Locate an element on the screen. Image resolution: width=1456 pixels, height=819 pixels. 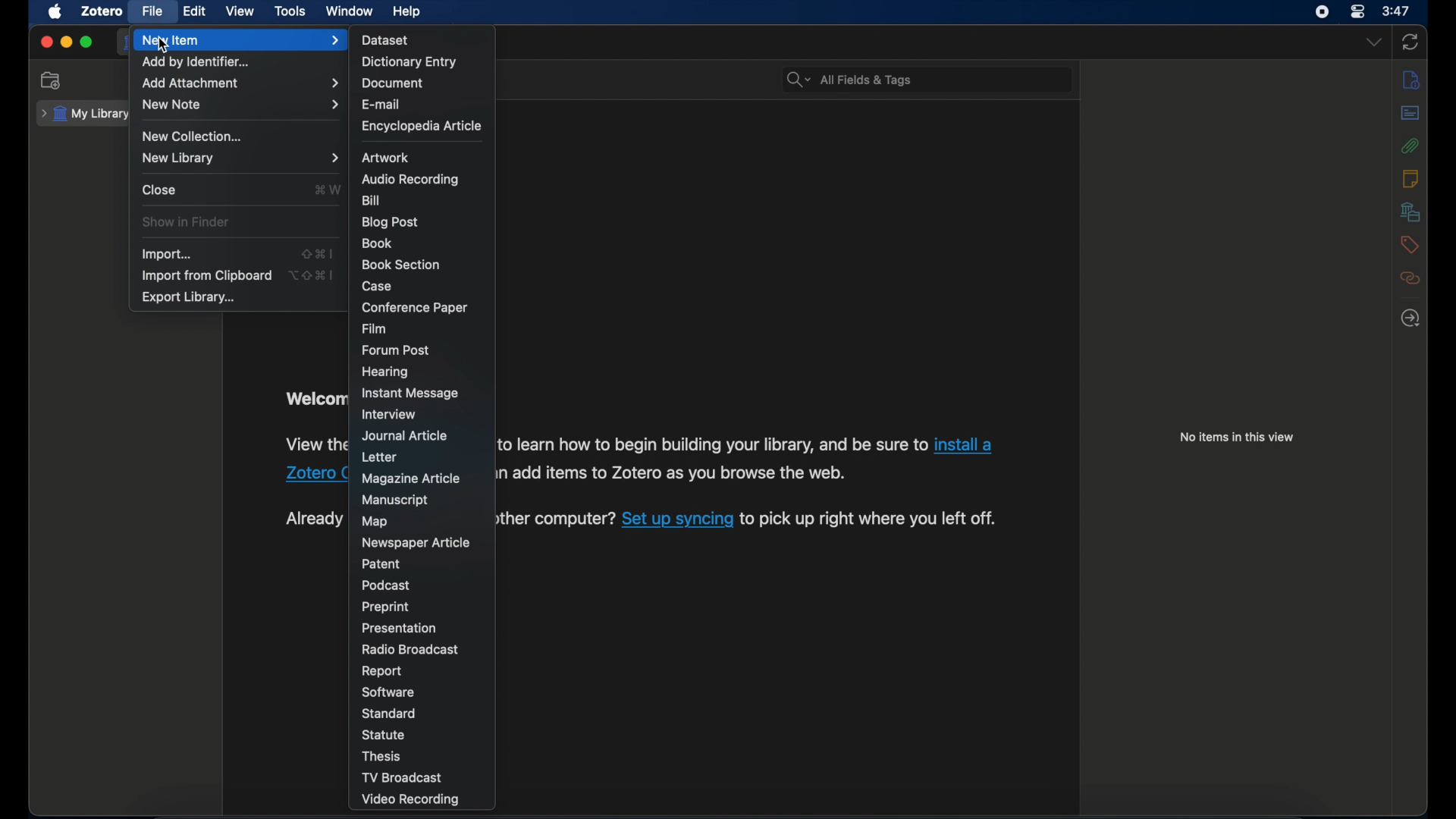
audio recording is located at coordinates (411, 179).